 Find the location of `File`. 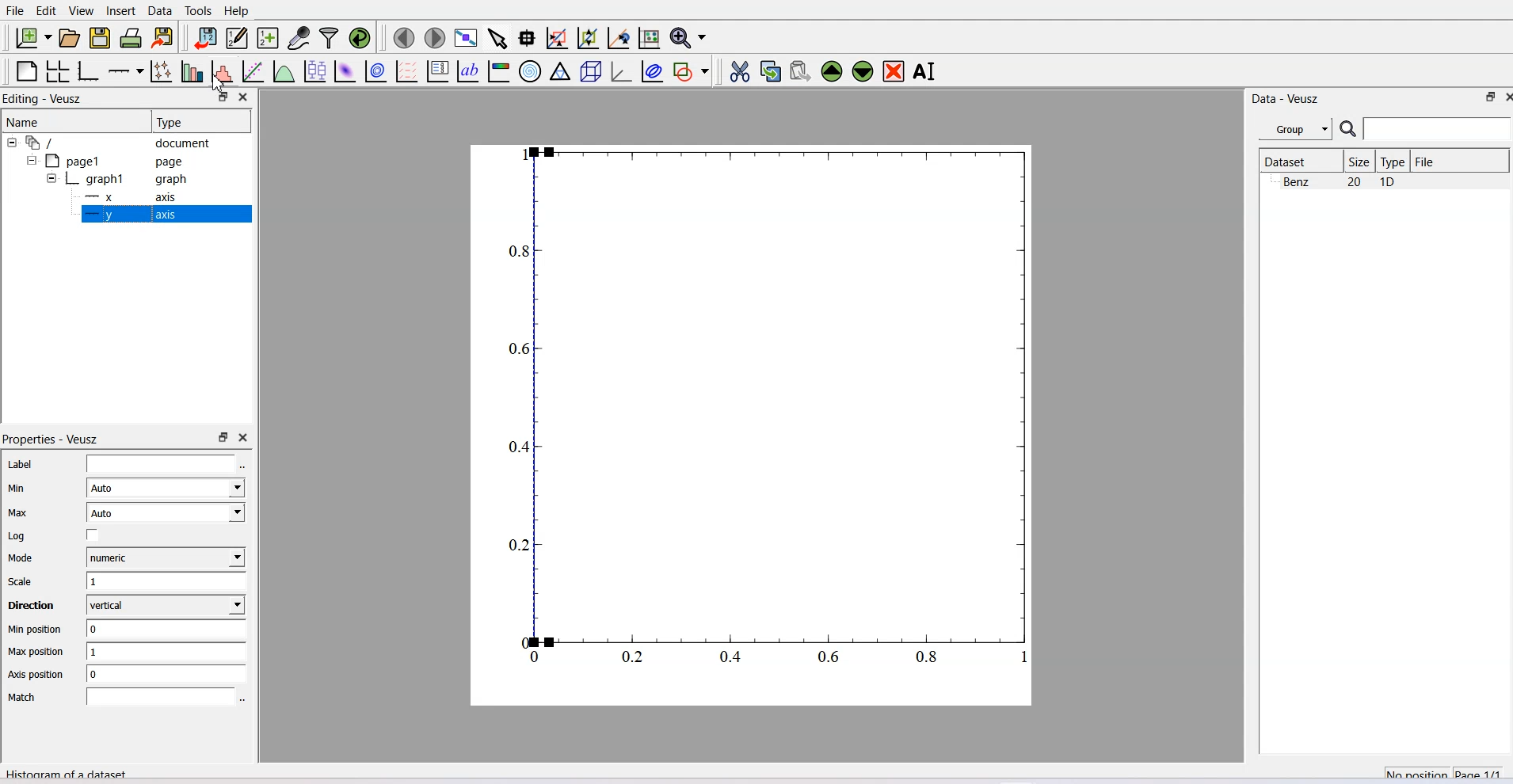

File is located at coordinates (15, 10).